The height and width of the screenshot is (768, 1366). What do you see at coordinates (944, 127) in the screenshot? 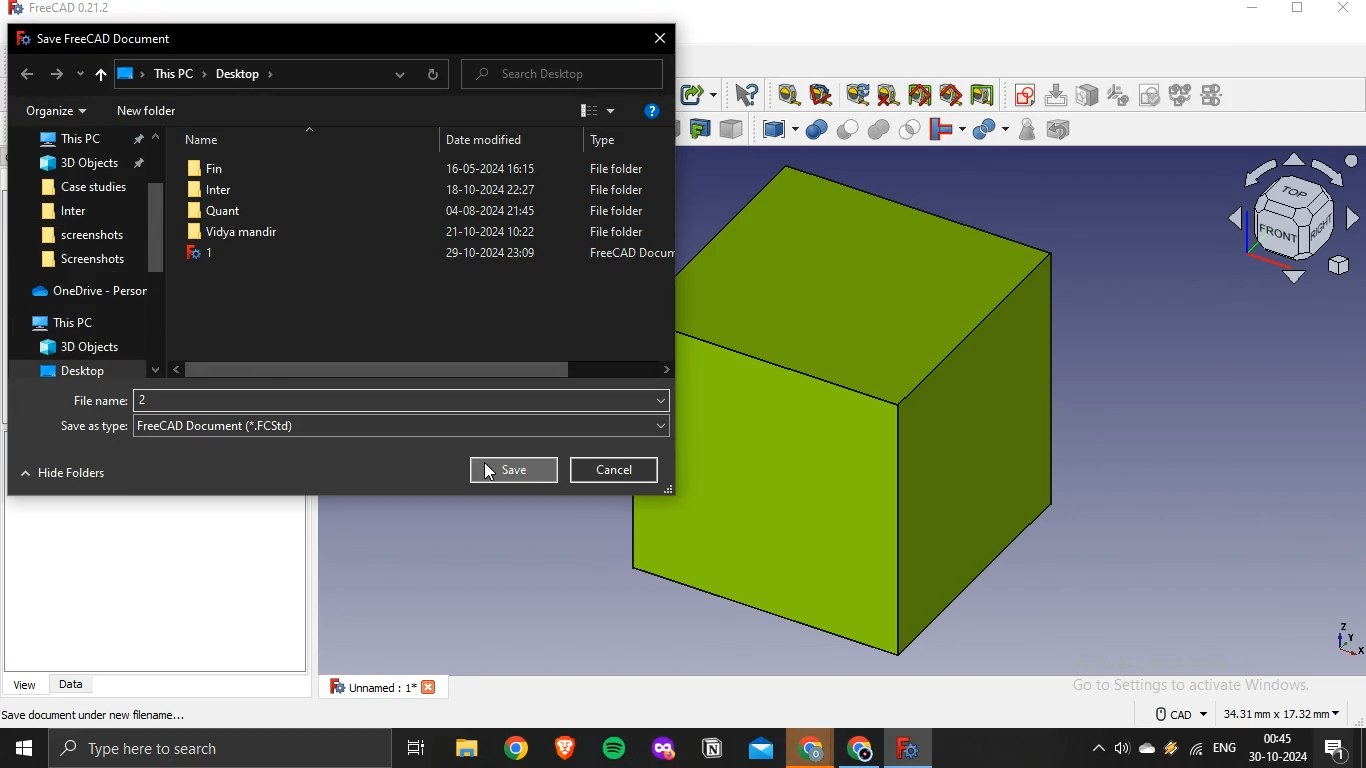
I see `join objects` at bounding box center [944, 127].